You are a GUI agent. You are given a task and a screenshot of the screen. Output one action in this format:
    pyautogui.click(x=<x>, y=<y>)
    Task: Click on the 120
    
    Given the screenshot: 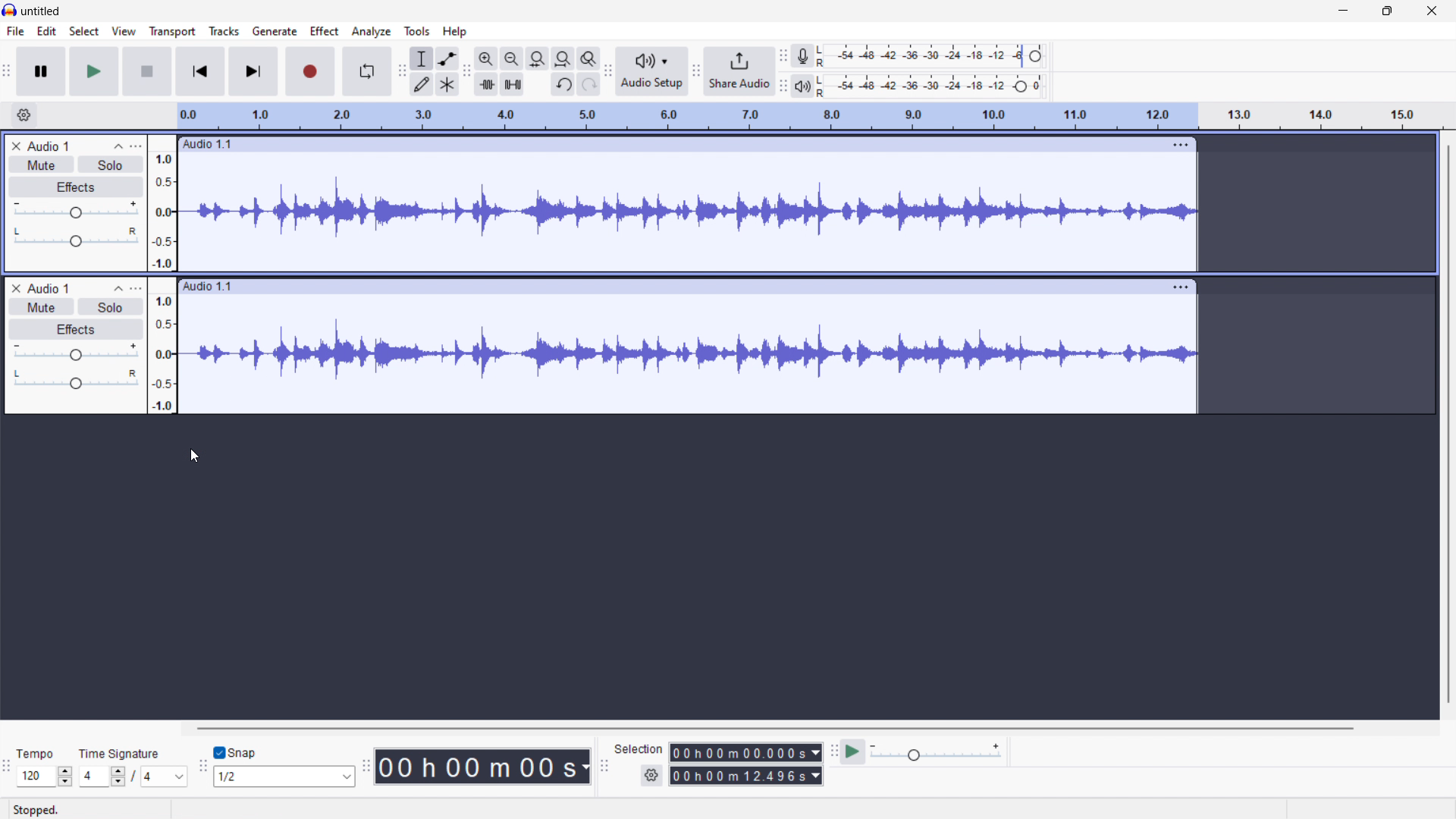 What is the action you would take?
    pyautogui.click(x=34, y=777)
    